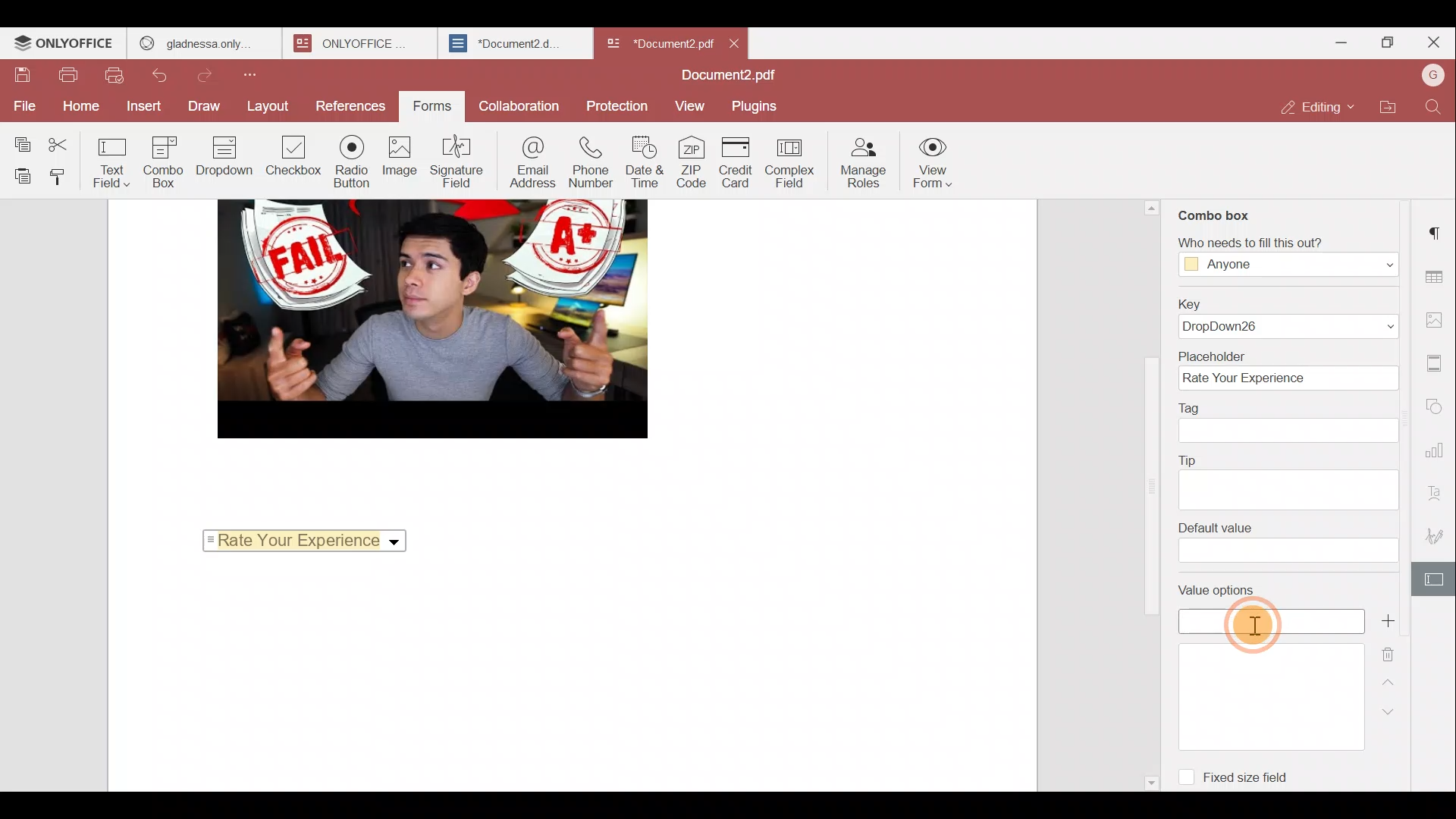 This screenshot has height=819, width=1456. What do you see at coordinates (757, 106) in the screenshot?
I see `Plugins` at bounding box center [757, 106].